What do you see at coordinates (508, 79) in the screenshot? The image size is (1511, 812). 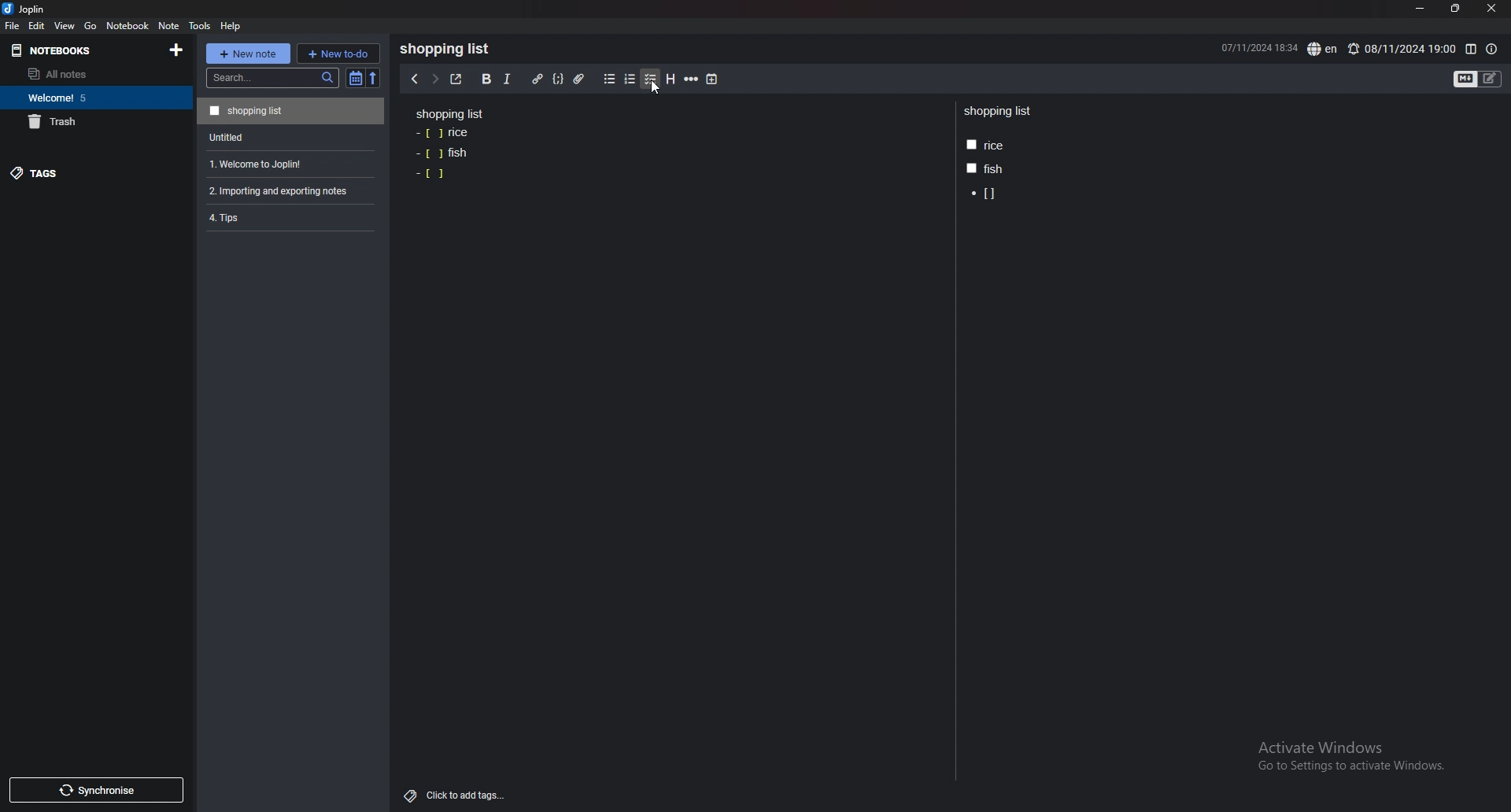 I see `italic` at bounding box center [508, 79].